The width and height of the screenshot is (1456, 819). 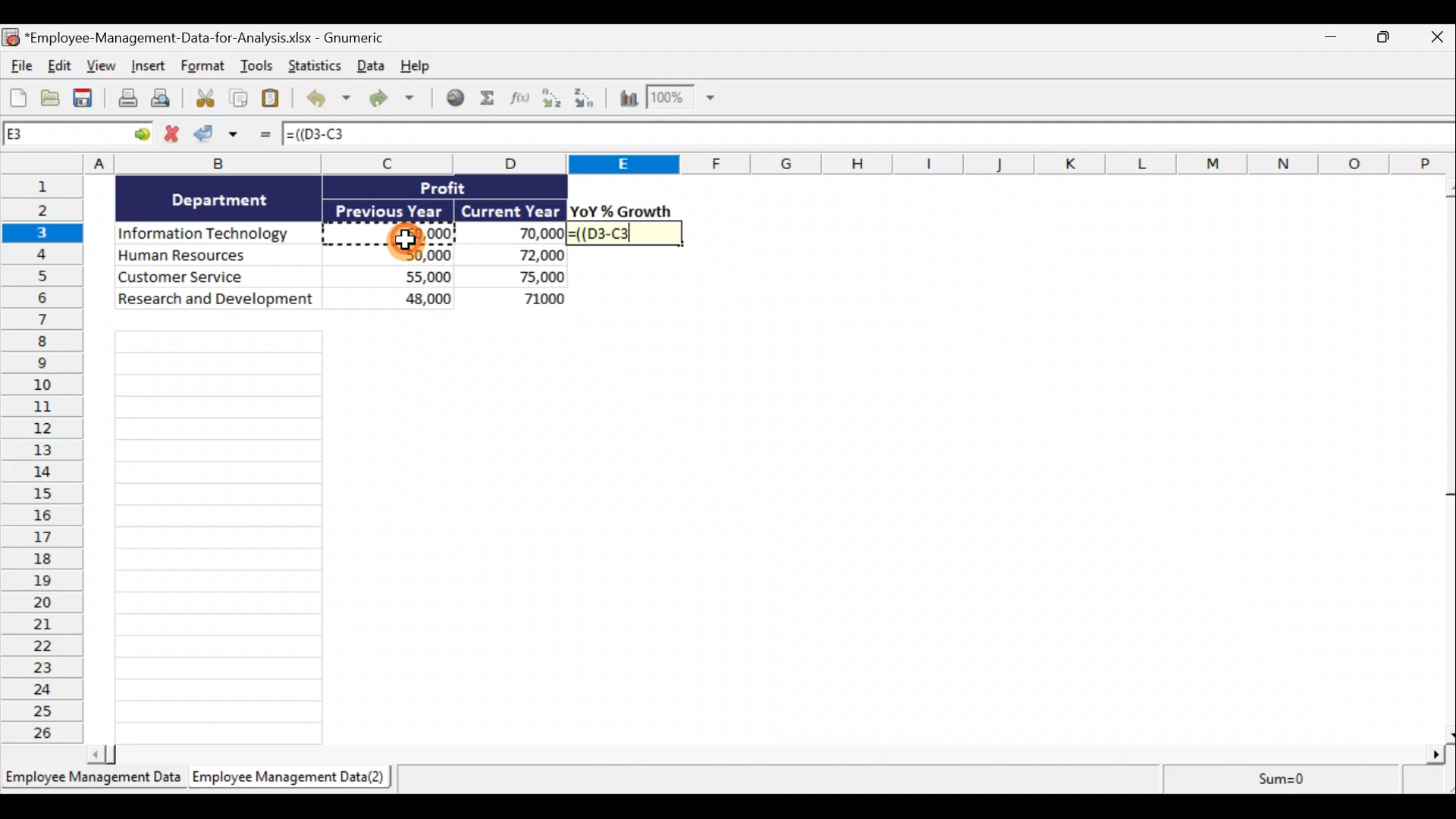 I want to click on View, so click(x=99, y=65).